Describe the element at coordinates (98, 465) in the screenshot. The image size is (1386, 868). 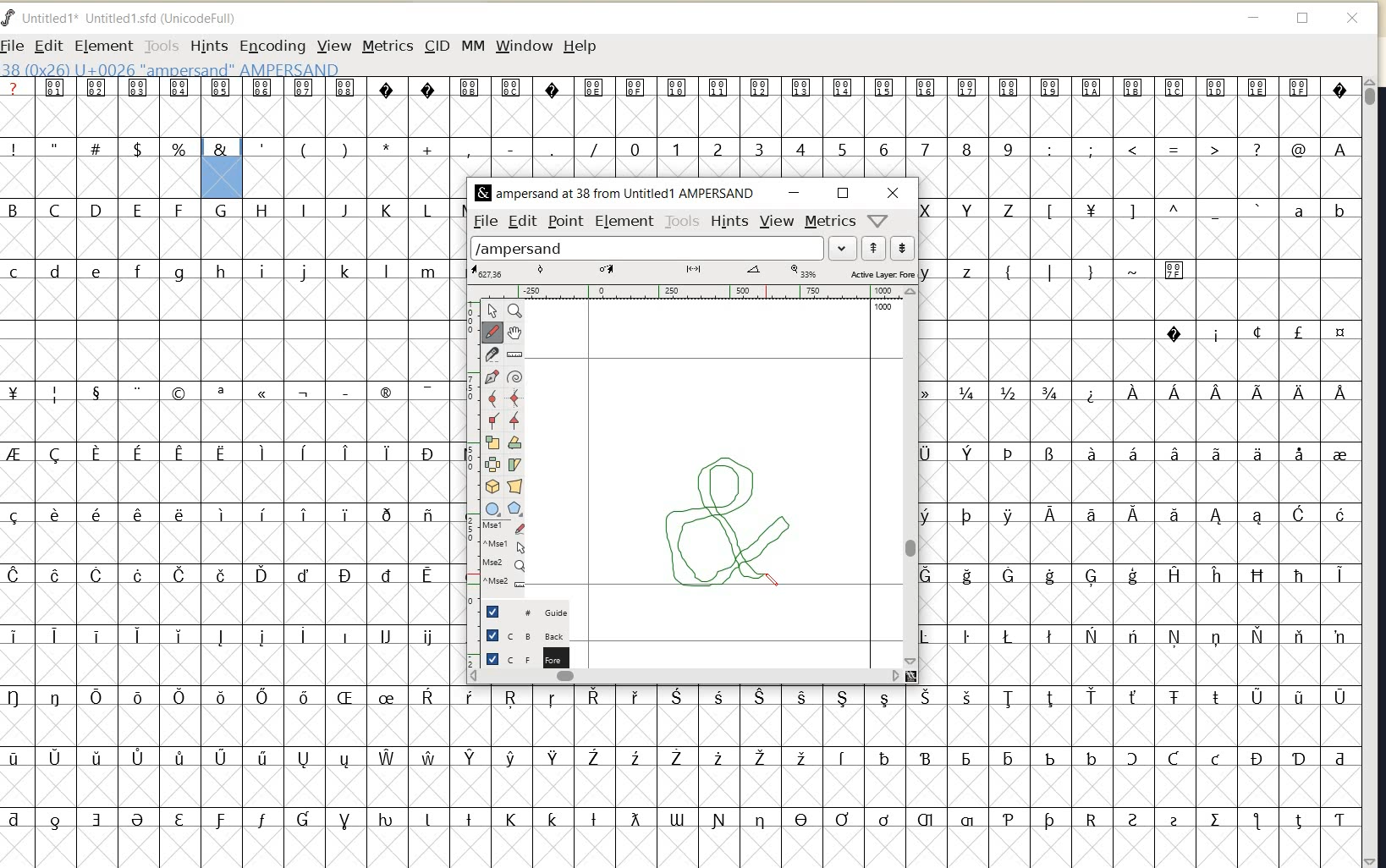
I see `glyph characters` at that location.